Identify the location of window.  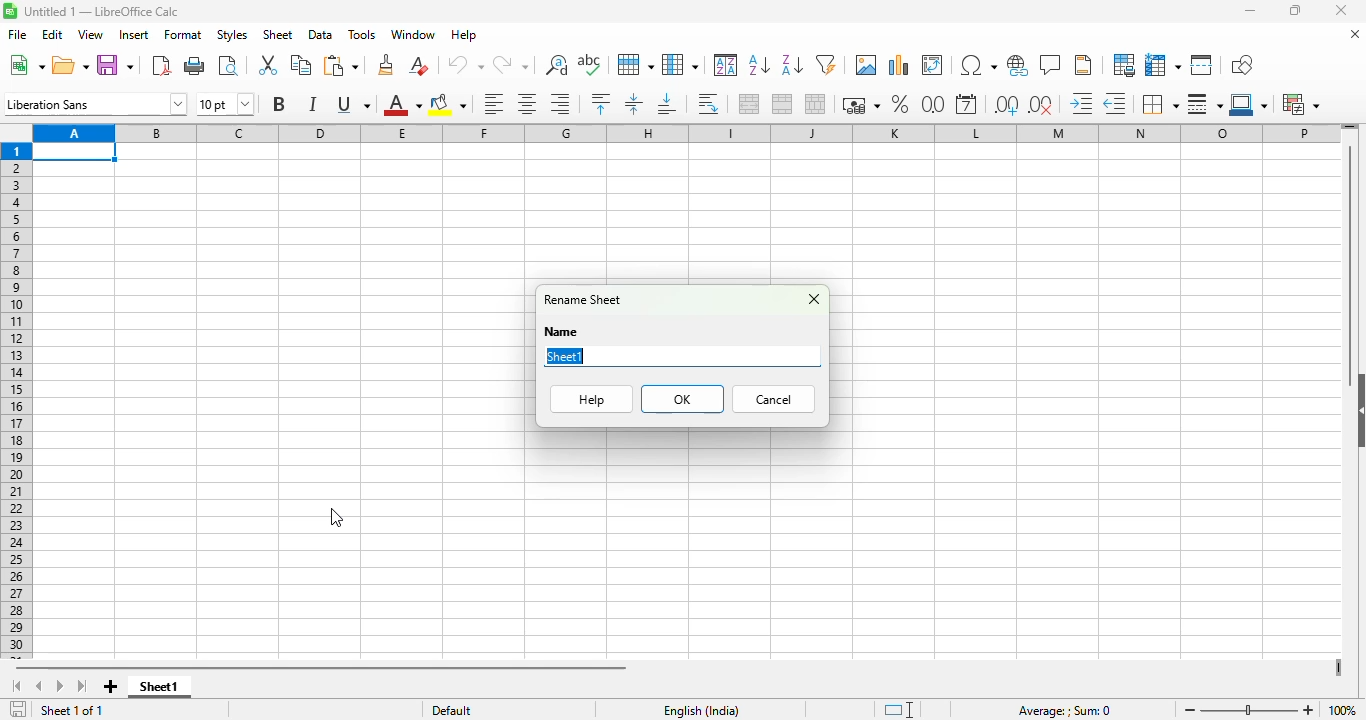
(412, 35).